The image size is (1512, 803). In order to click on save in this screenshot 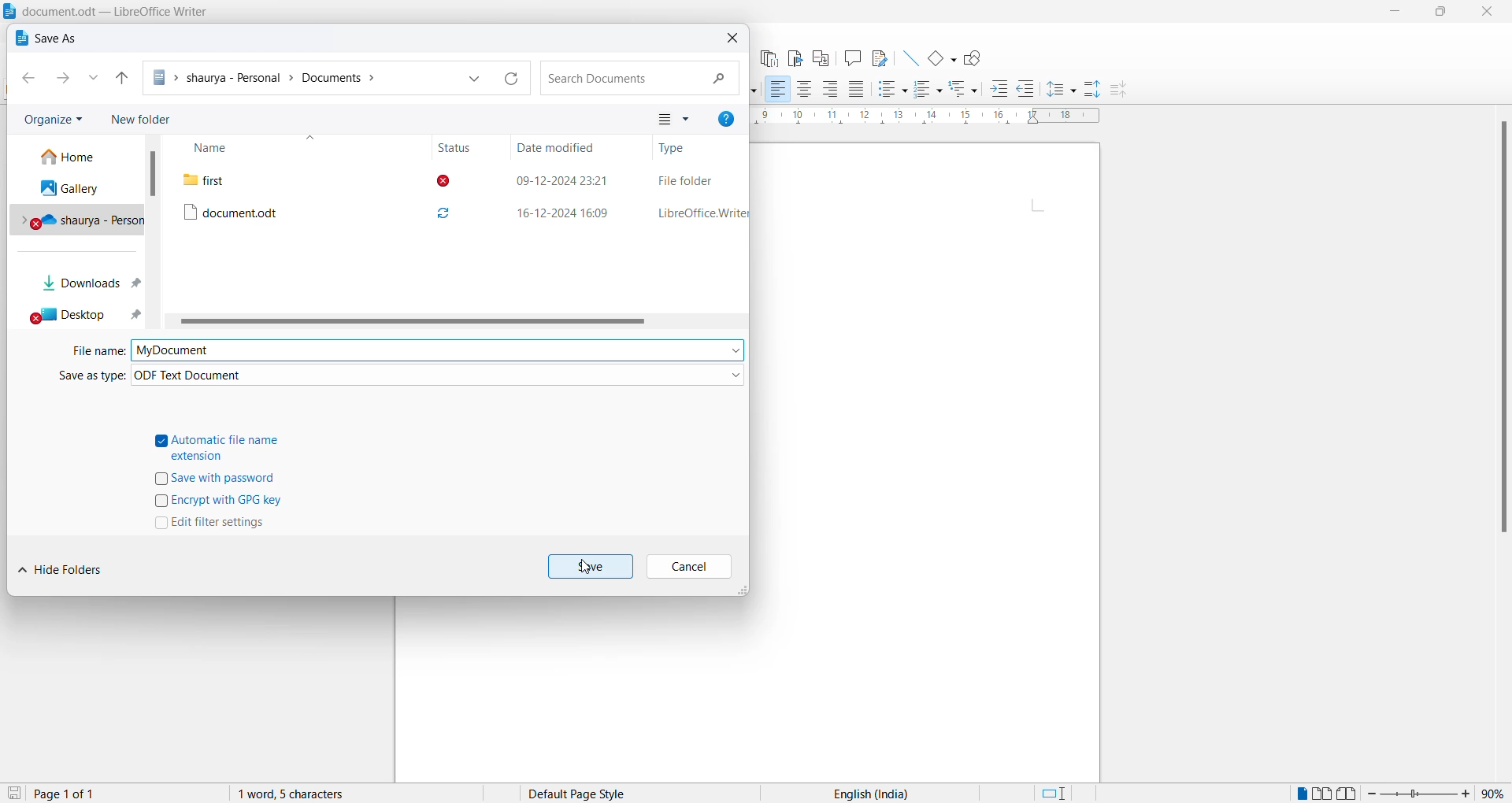, I will do `click(591, 565)`.